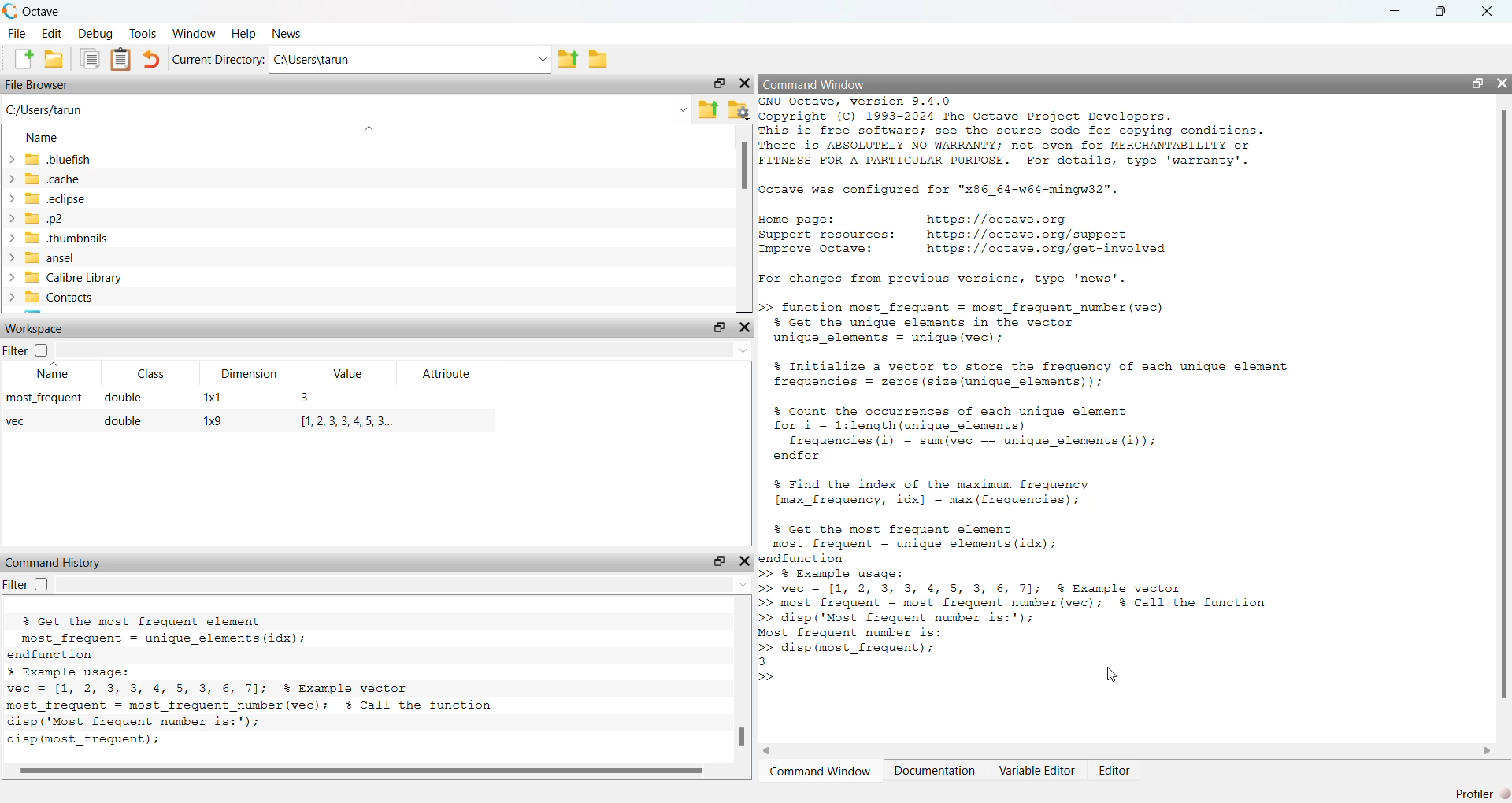 Image resolution: width=1512 pixels, height=803 pixels. Describe the element at coordinates (150, 375) in the screenshot. I see `Class` at that location.